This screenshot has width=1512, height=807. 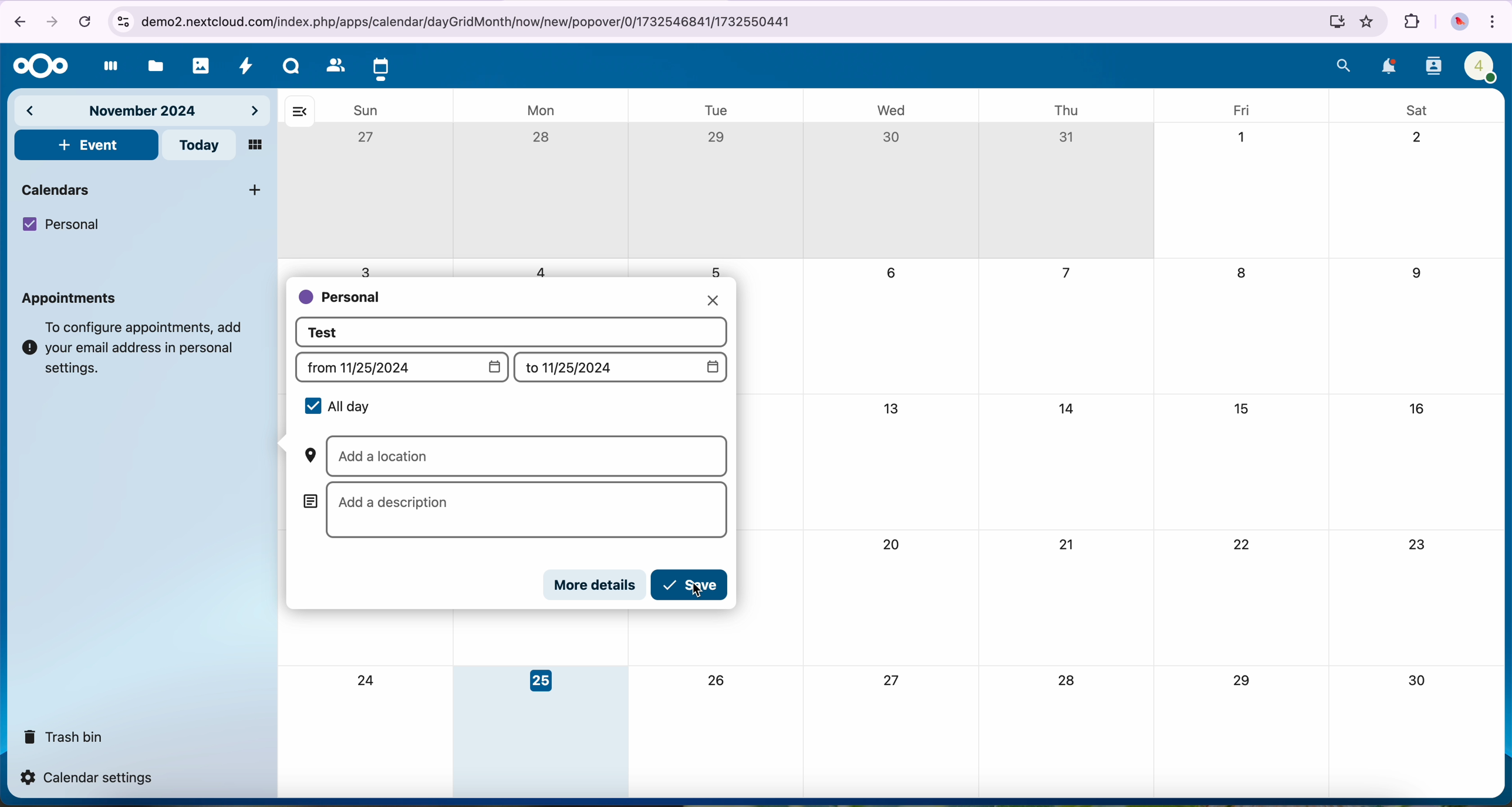 I want to click on 1, so click(x=1241, y=137).